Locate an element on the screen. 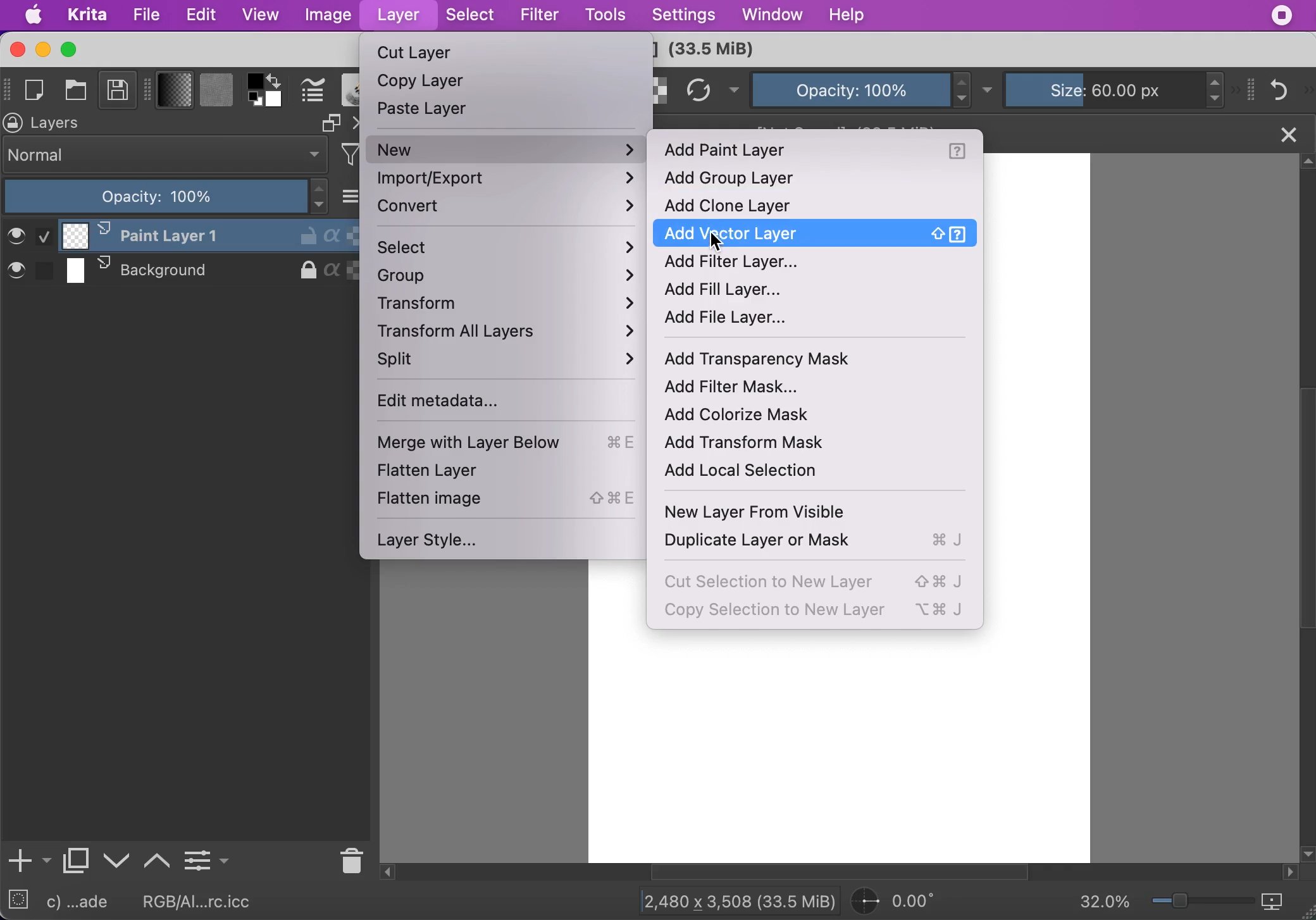 Image resolution: width=1316 pixels, height=920 pixels. layer is located at coordinates (397, 16).